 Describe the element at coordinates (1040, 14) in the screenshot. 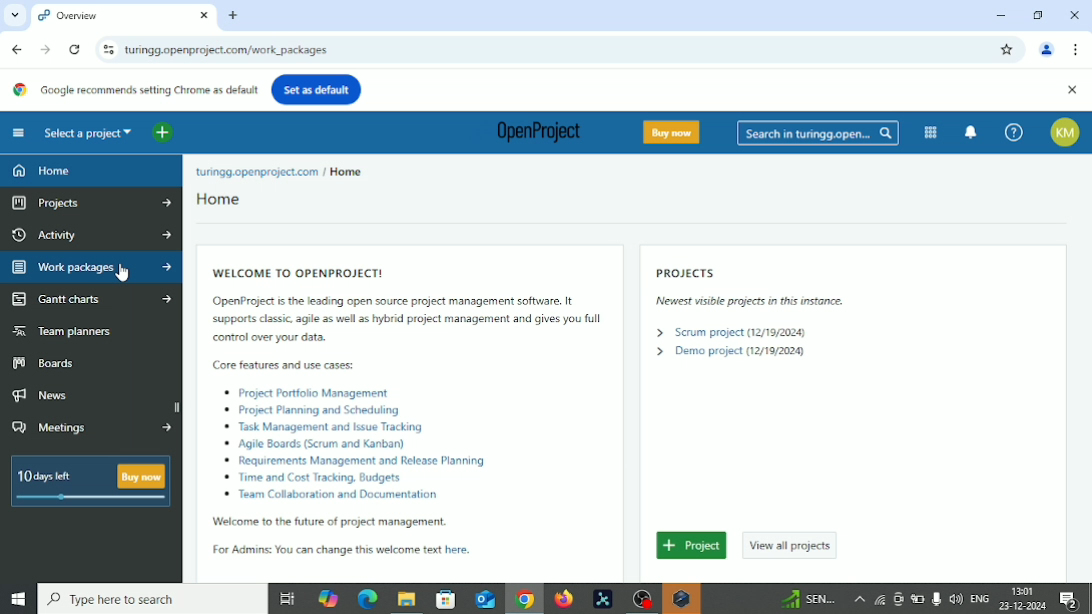

I see `Restore down` at that location.